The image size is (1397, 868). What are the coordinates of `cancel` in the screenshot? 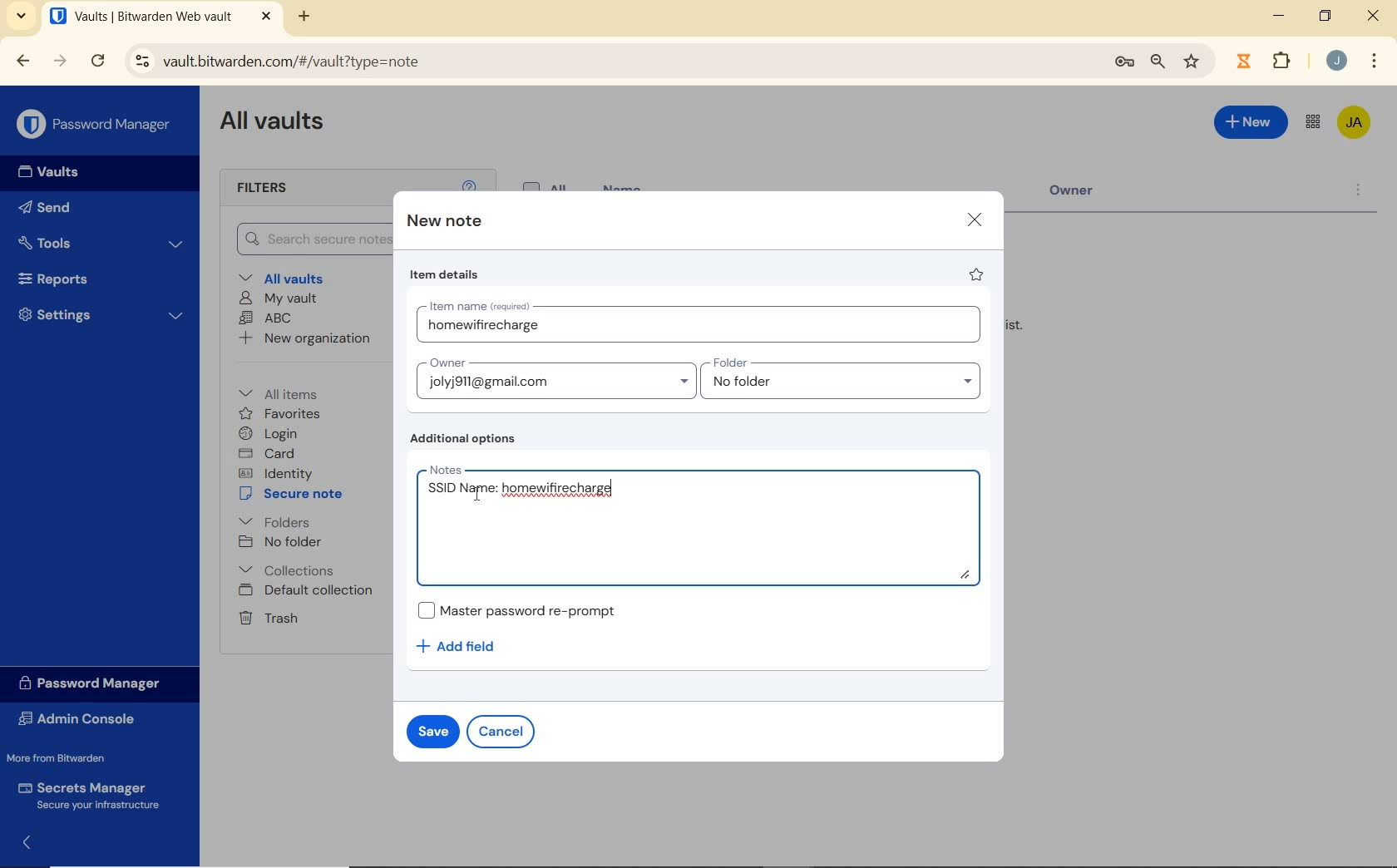 It's located at (501, 732).